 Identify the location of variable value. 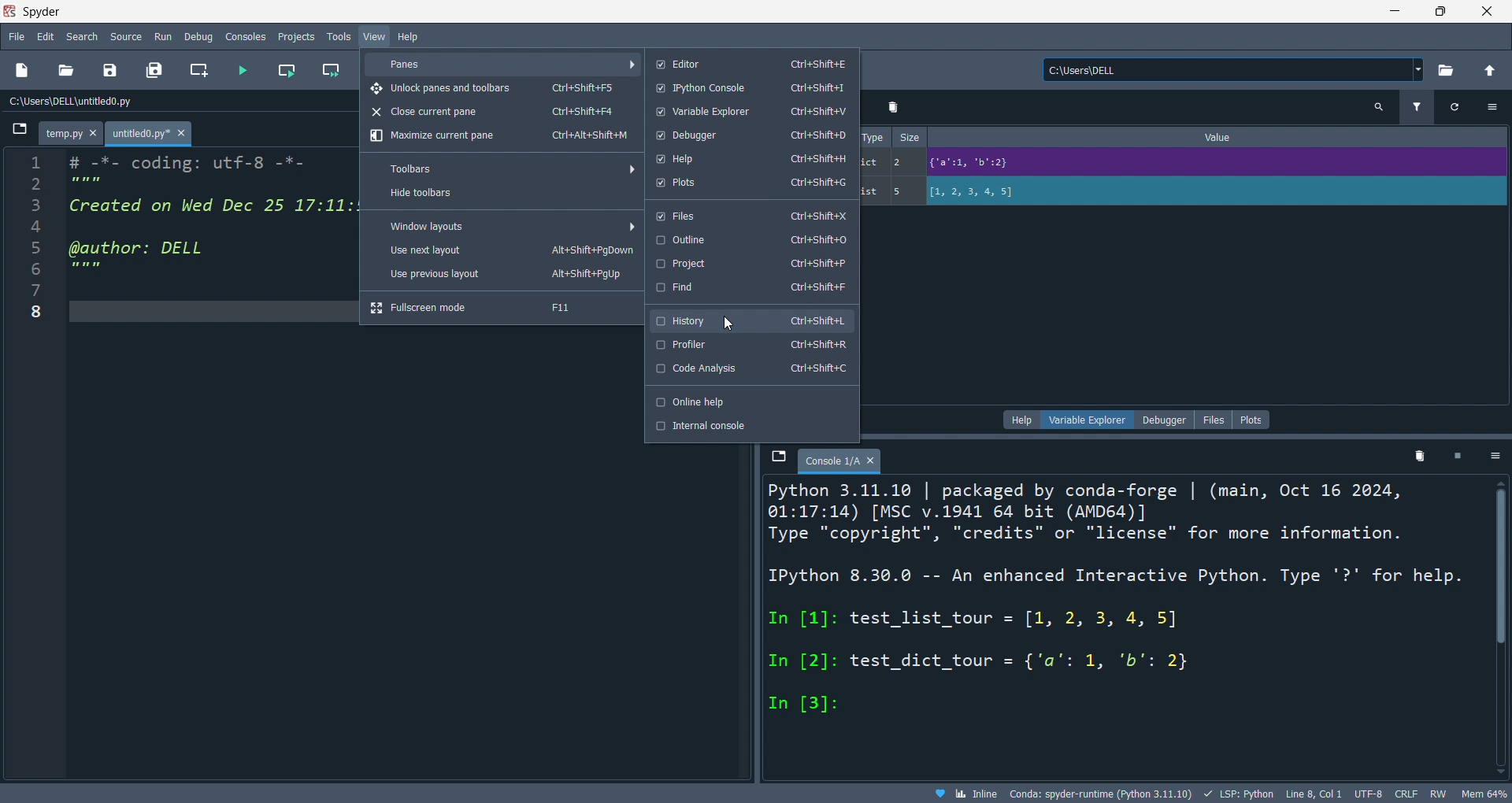
(1213, 165).